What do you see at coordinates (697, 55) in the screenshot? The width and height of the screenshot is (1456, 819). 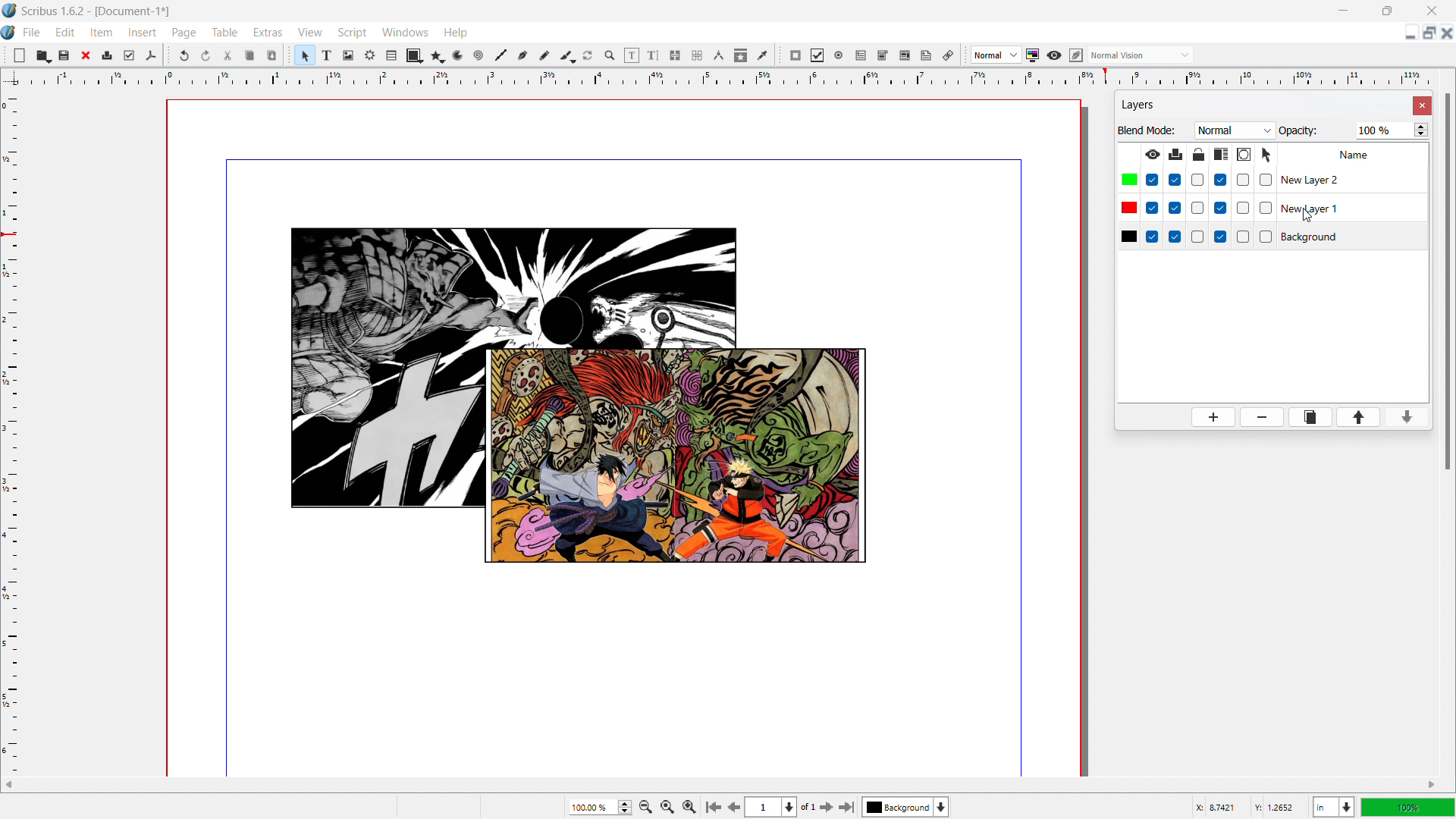 I see `unlink text frames` at bounding box center [697, 55].